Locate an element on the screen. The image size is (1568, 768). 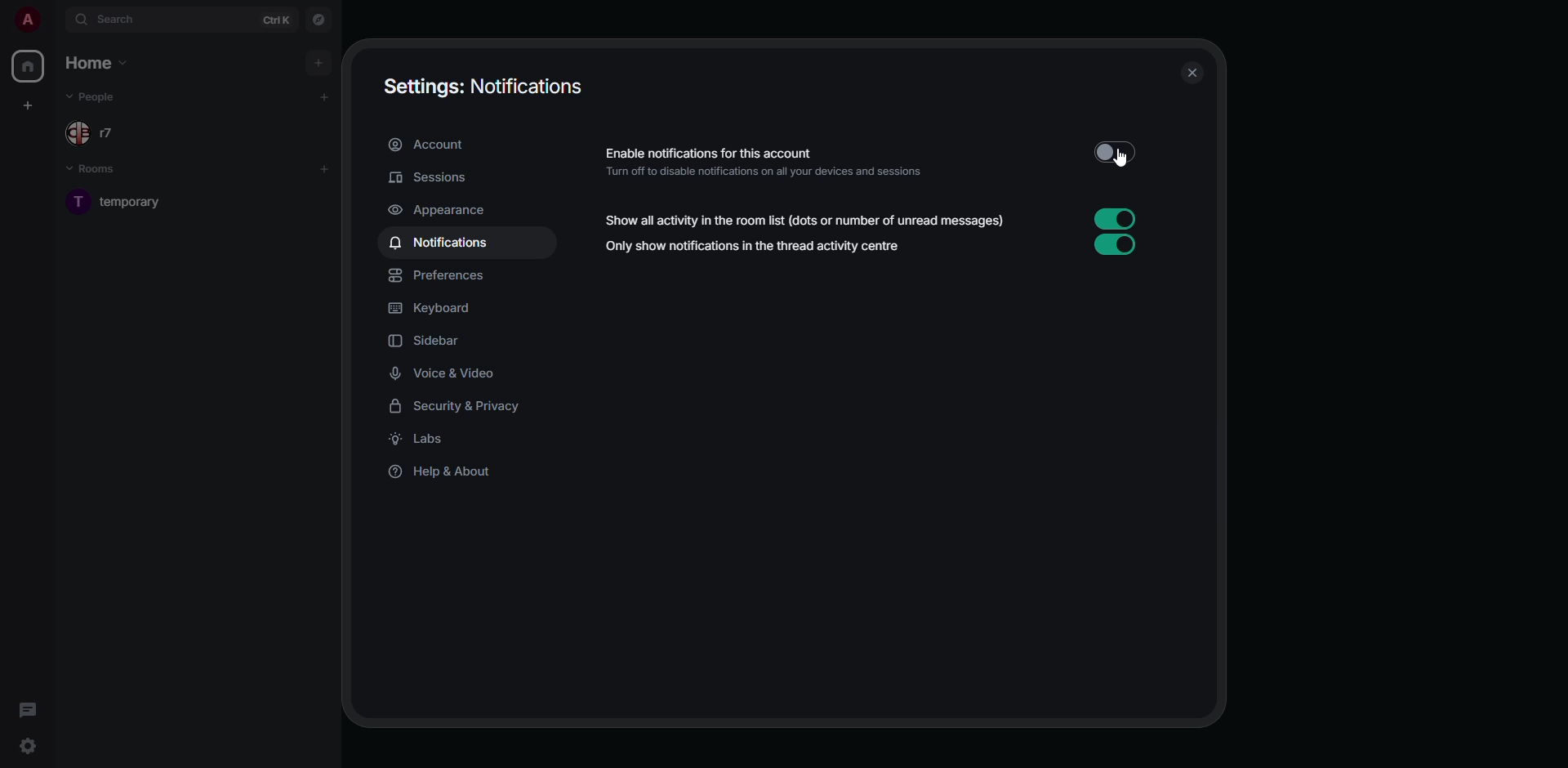
add is located at coordinates (326, 165).